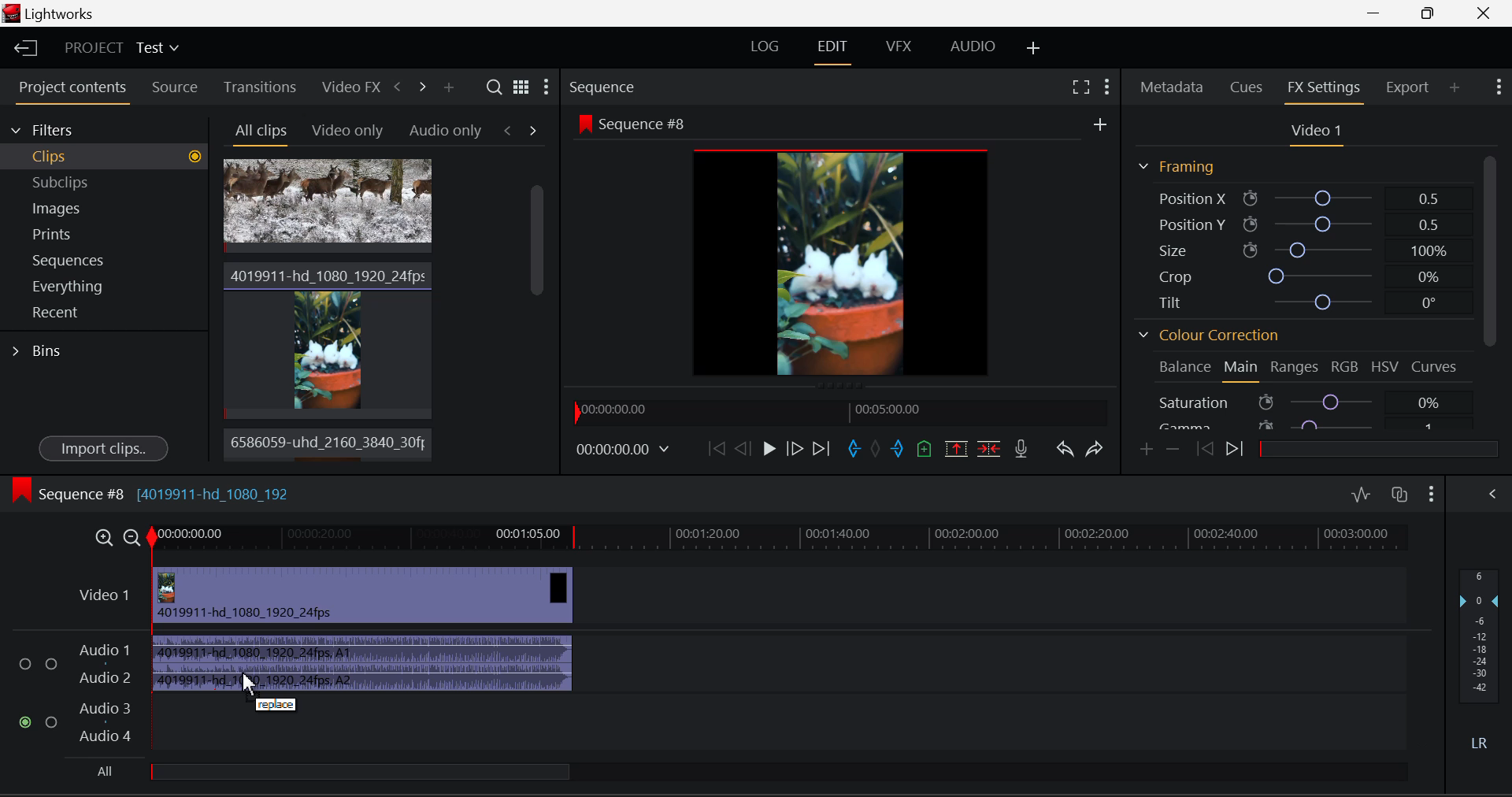 The image size is (1512, 797). What do you see at coordinates (1025, 449) in the screenshot?
I see `Record Voiceover` at bounding box center [1025, 449].